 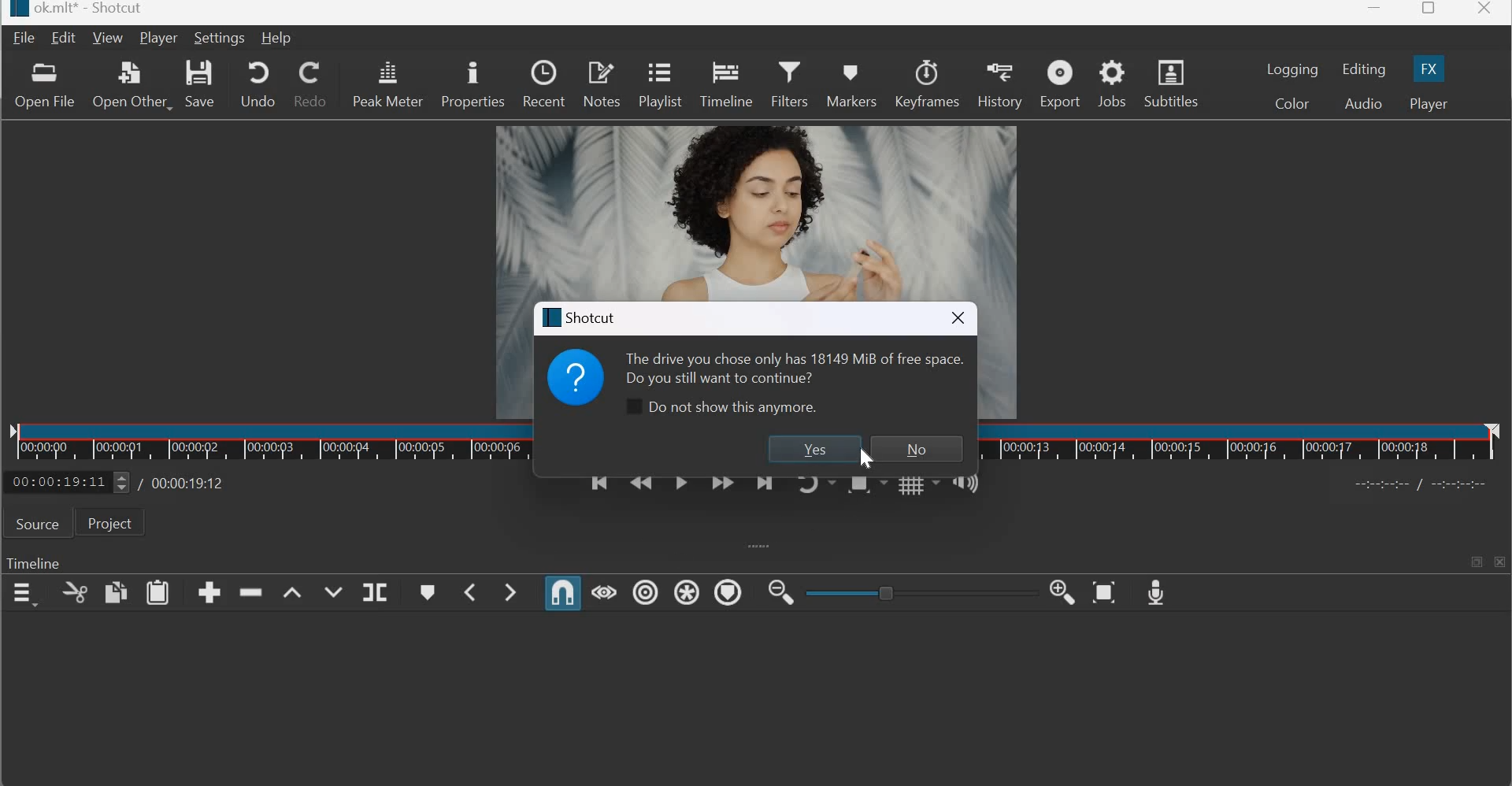 What do you see at coordinates (387, 83) in the screenshot?
I see `Peak meter` at bounding box center [387, 83].